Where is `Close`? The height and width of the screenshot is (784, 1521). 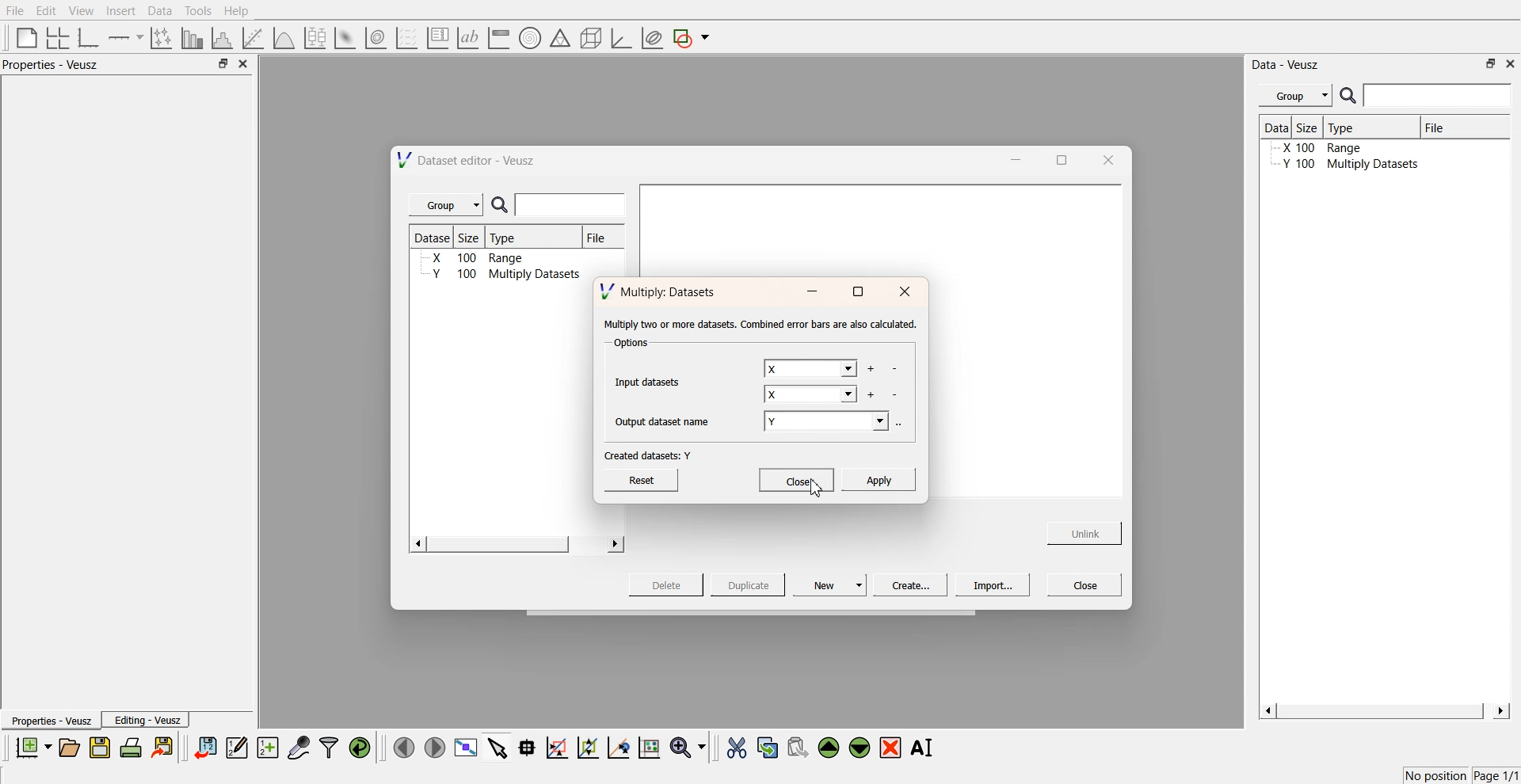 Close is located at coordinates (1085, 584).